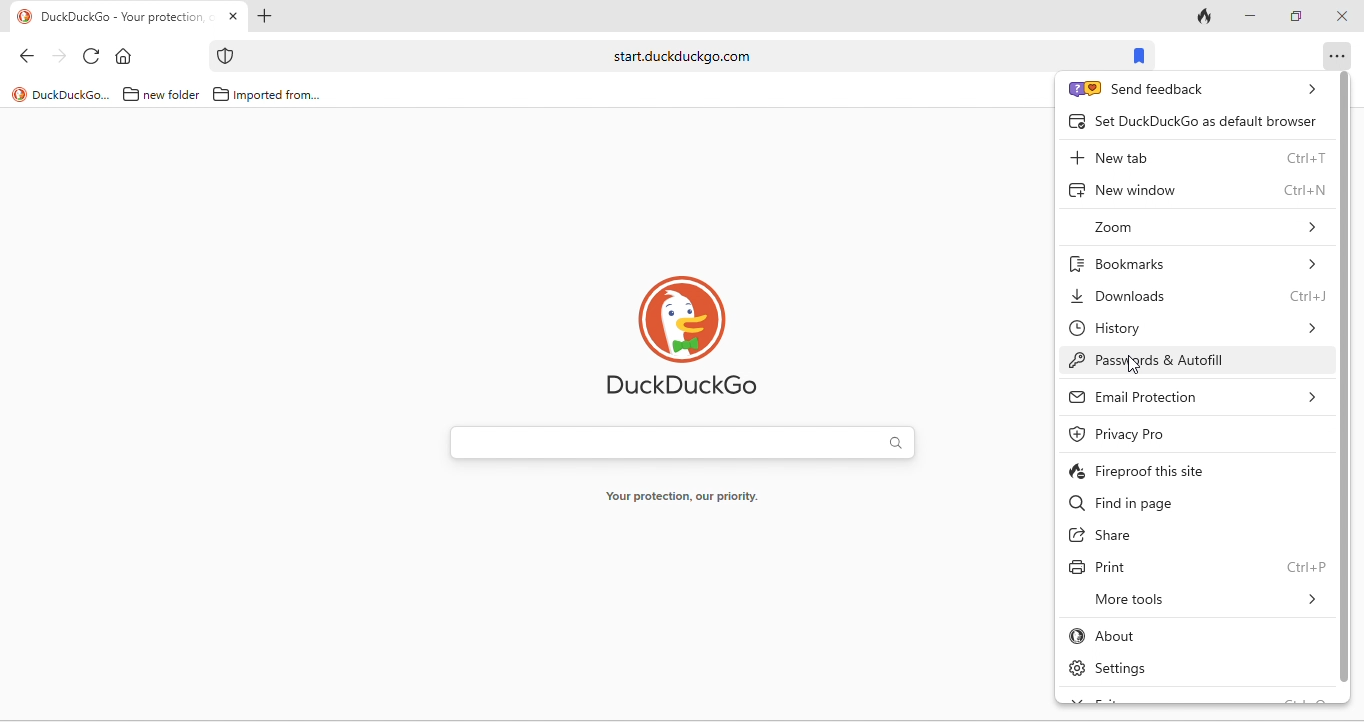 Image resolution: width=1364 pixels, height=722 pixels. What do you see at coordinates (1347, 382) in the screenshot?
I see `vertical scroll bar` at bounding box center [1347, 382].